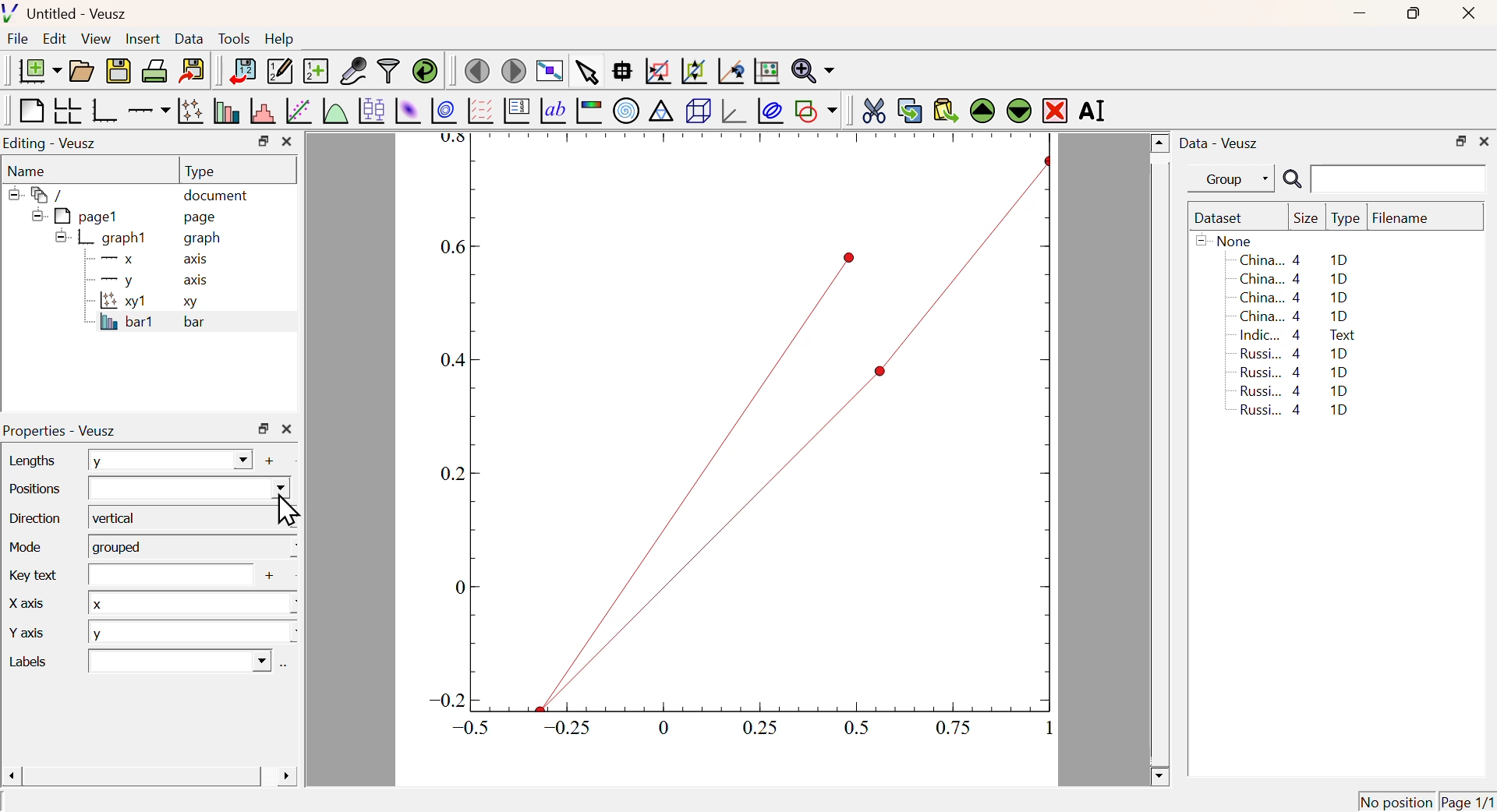 The image size is (1497, 812). I want to click on Previous Page, so click(478, 72).